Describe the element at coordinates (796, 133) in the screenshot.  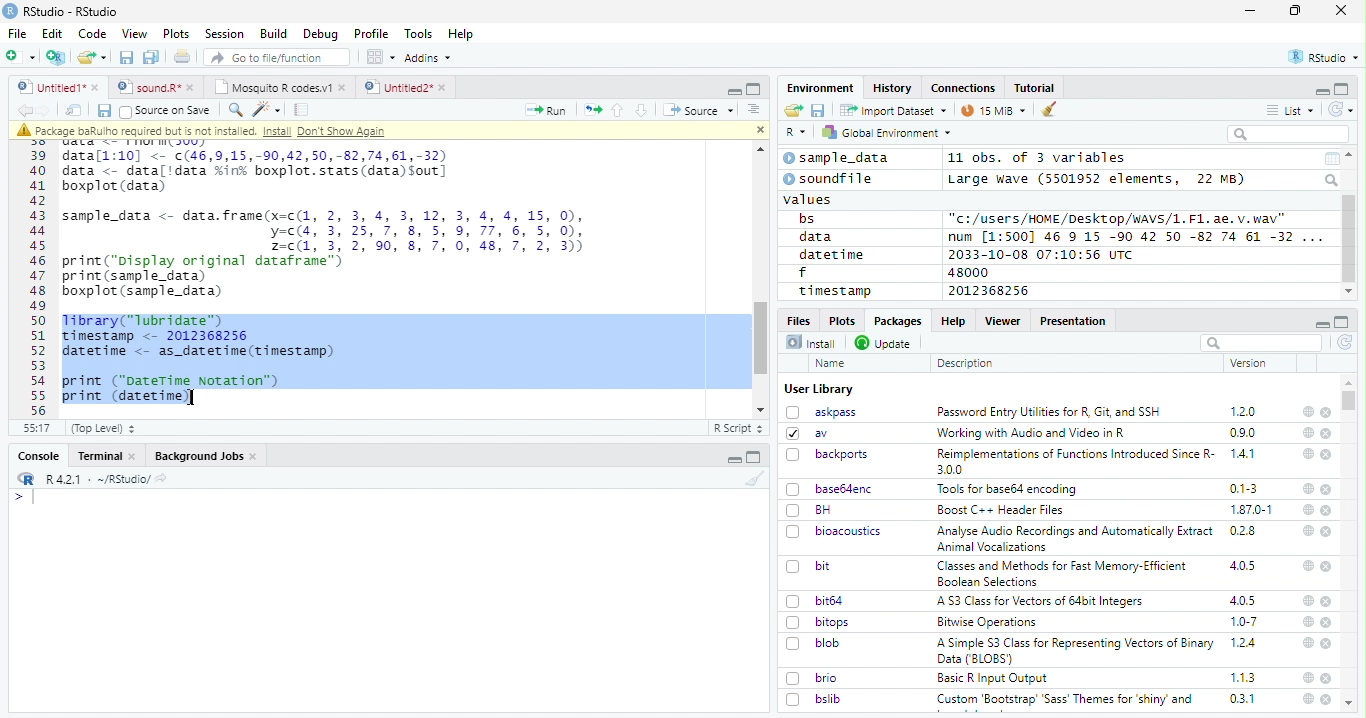
I see `R` at that location.